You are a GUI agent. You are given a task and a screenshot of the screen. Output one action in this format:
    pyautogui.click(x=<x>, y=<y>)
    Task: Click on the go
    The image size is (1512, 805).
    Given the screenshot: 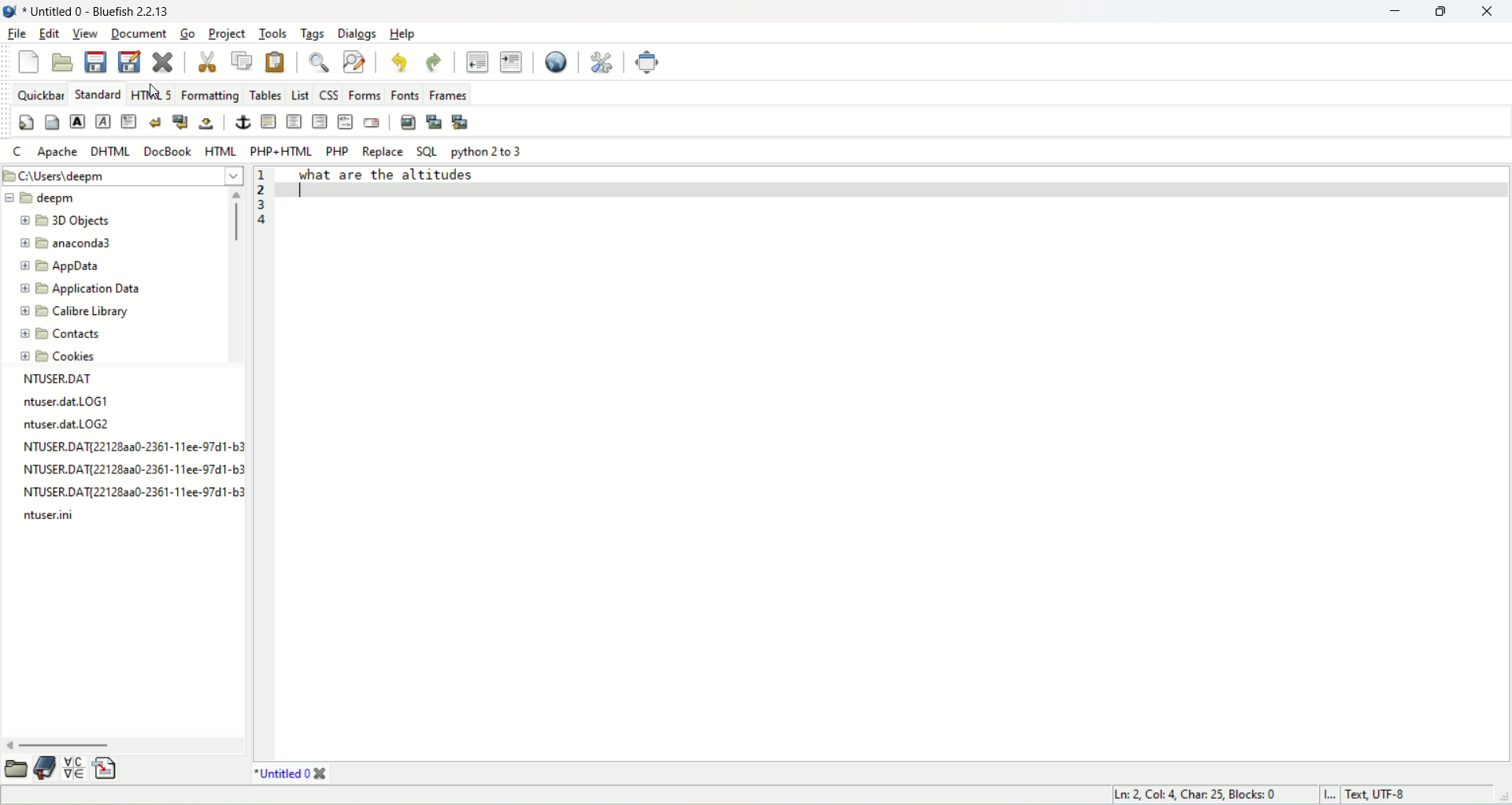 What is the action you would take?
    pyautogui.click(x=185, y=34)
    